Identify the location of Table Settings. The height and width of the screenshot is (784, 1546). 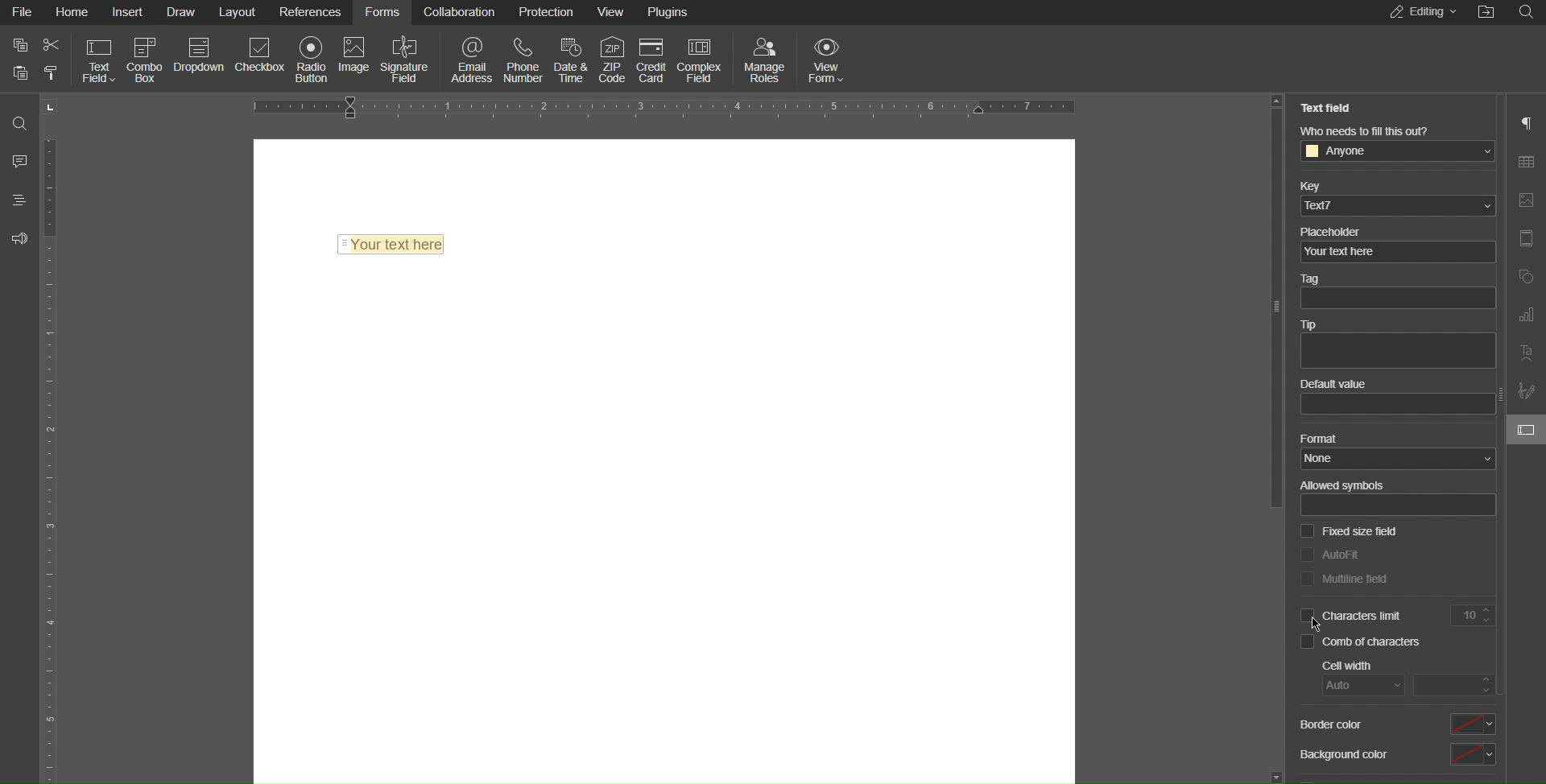
(1527, 163).